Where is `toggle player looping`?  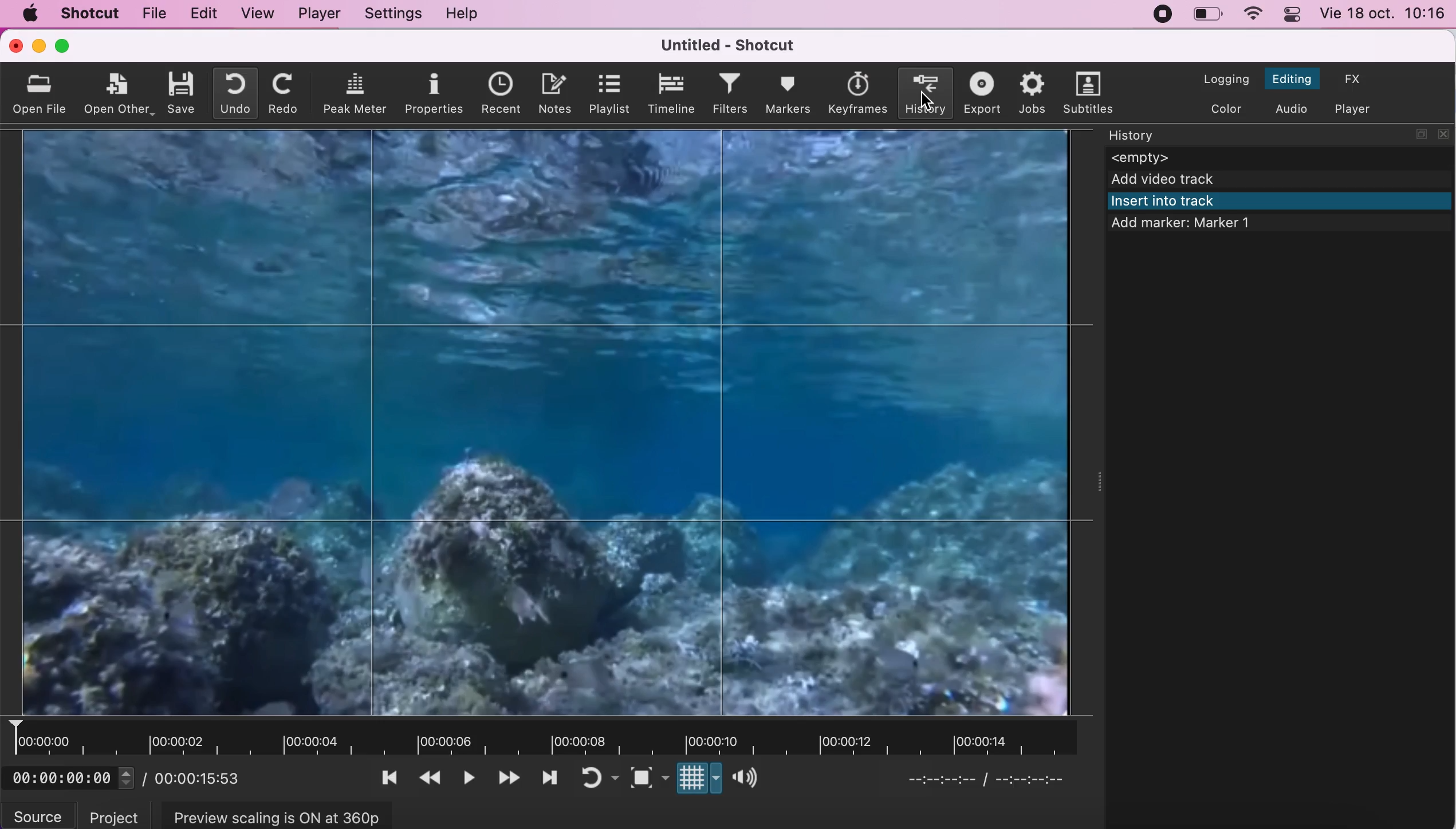 toggle player looping is located at coordinates (600, 778).